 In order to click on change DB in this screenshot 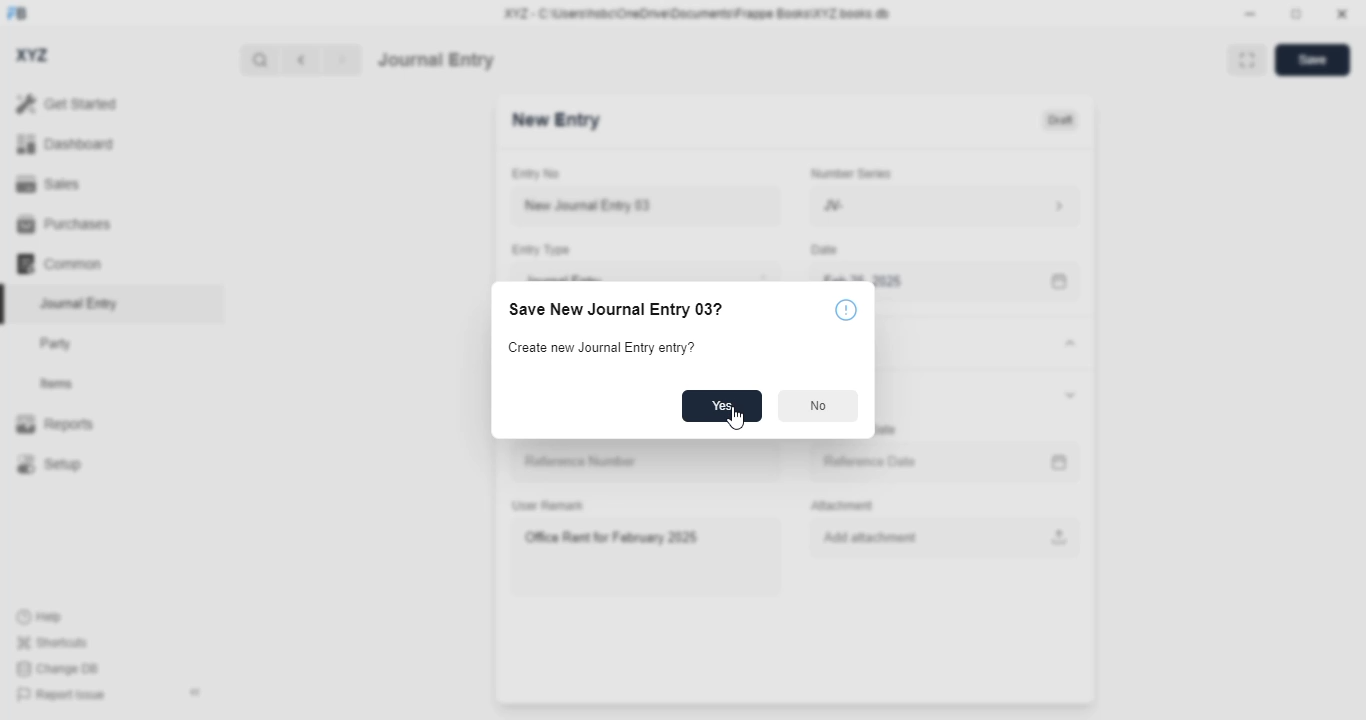, I will do `click(58, 668)`.